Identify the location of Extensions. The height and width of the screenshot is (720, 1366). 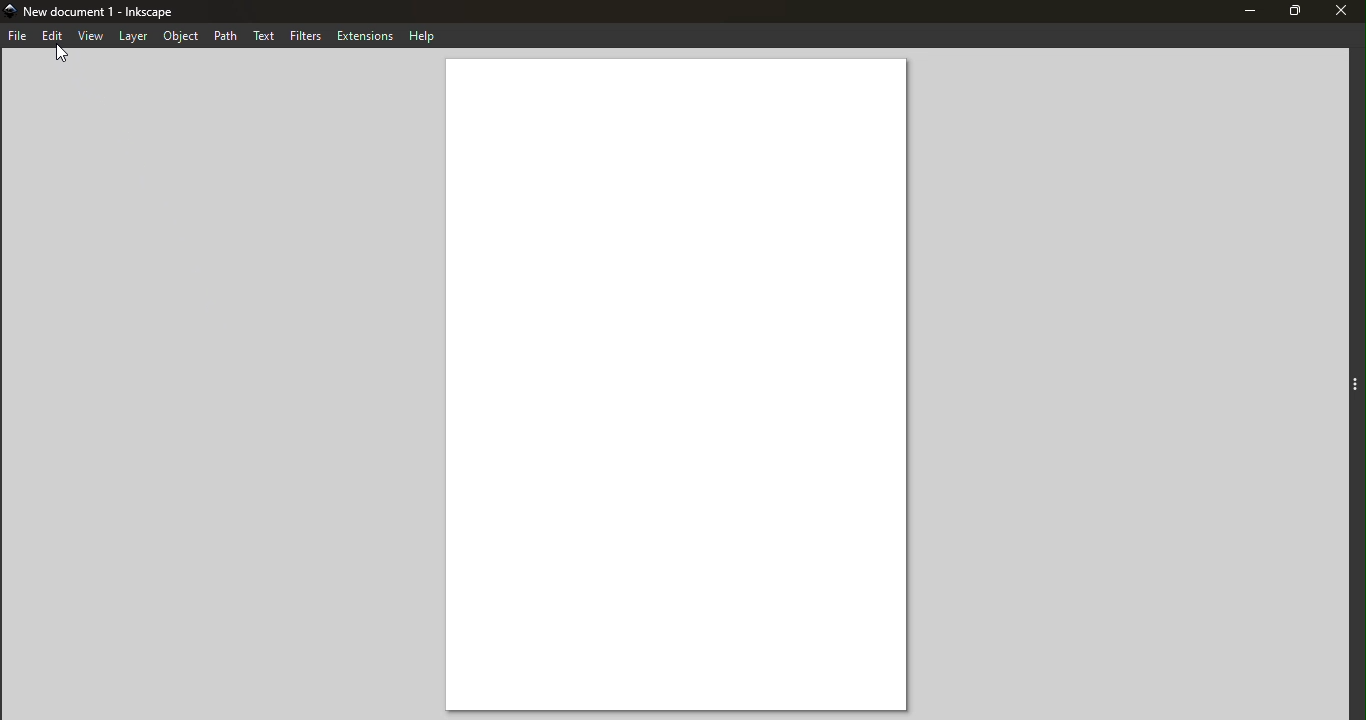
(363, 34).